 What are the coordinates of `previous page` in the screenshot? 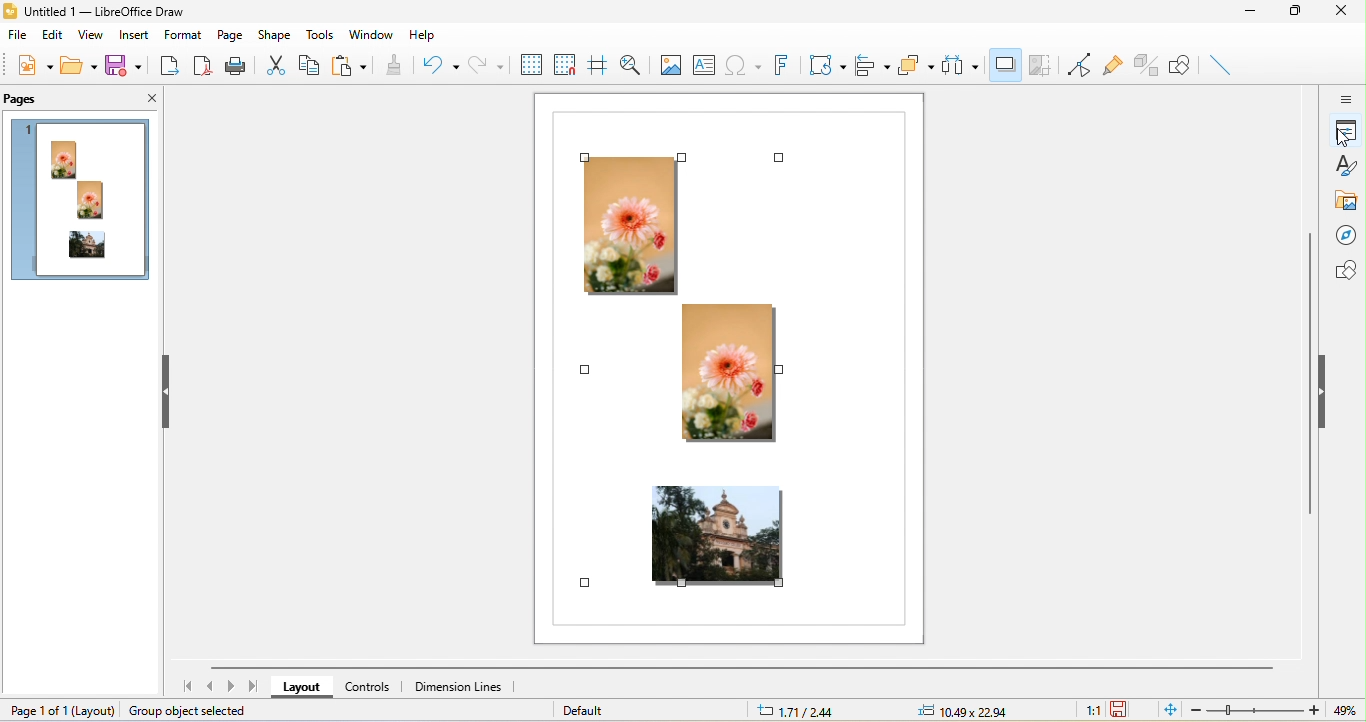 It's located at (215, 688).